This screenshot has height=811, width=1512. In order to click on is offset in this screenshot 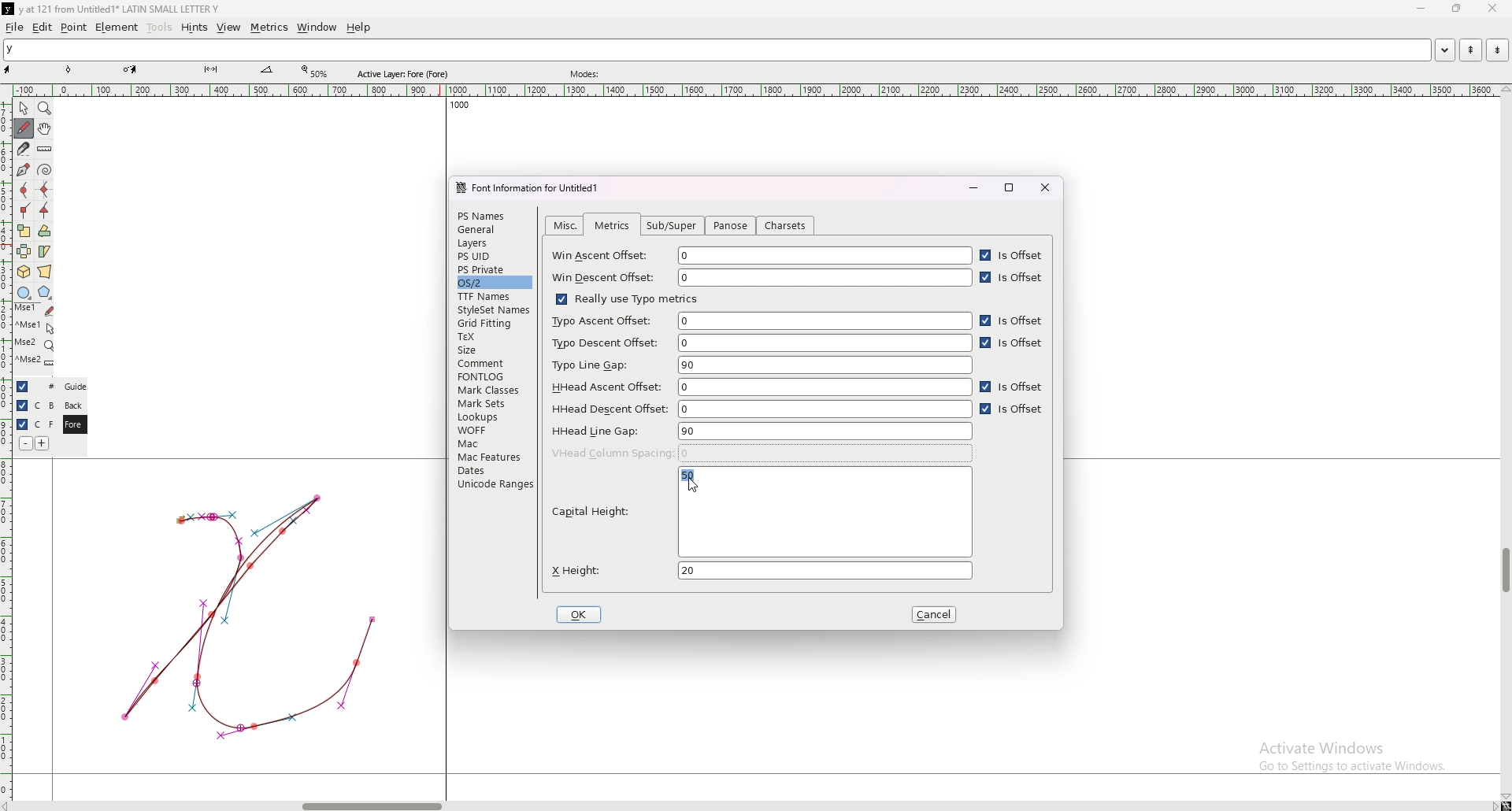, I will do `click(1013, 256)`.